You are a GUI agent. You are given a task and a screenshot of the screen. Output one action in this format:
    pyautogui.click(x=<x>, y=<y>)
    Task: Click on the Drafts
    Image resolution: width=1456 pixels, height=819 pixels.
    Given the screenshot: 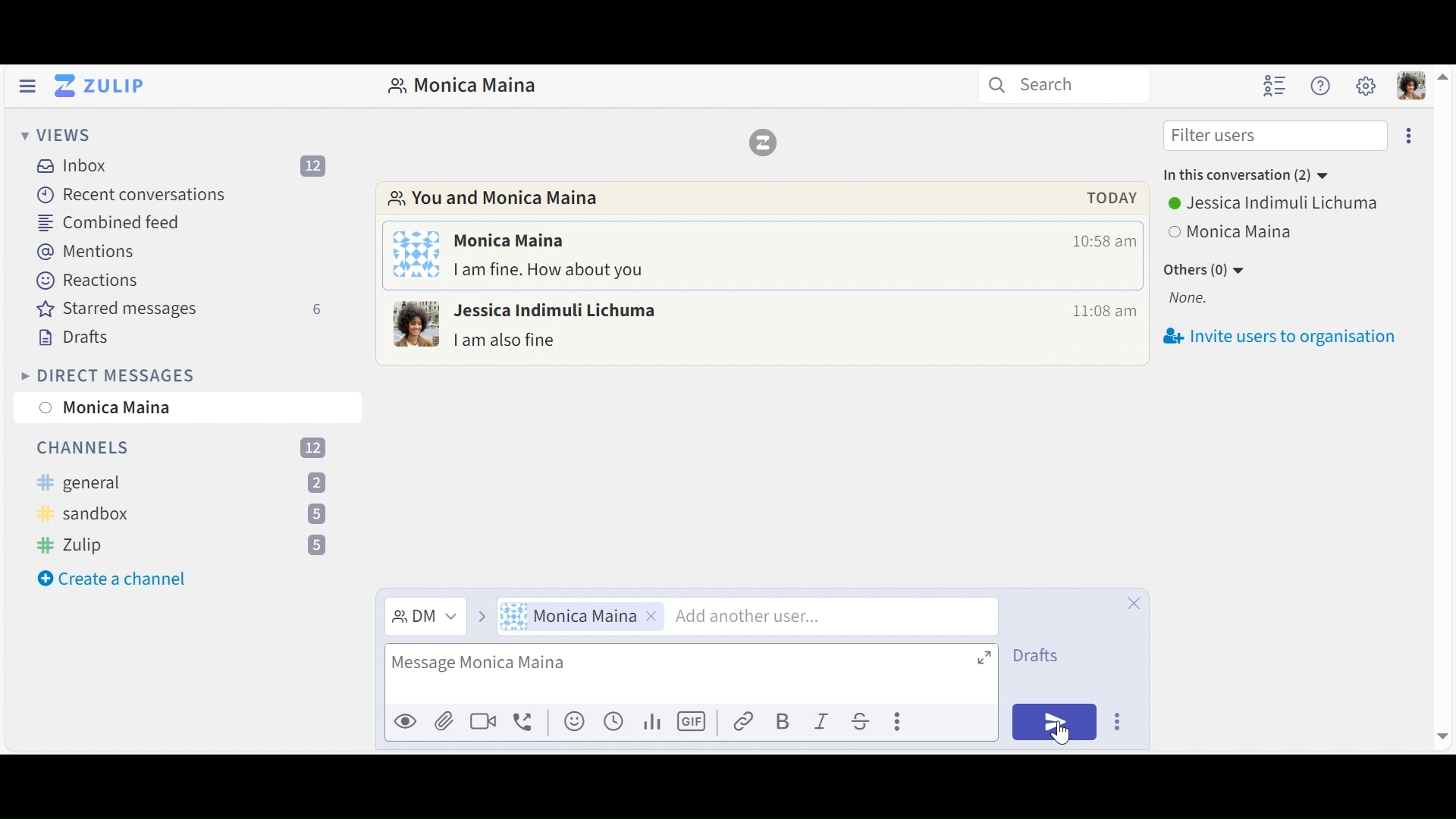 What is the action you would take?
    pyautogui.click(x=74, y=337)
    